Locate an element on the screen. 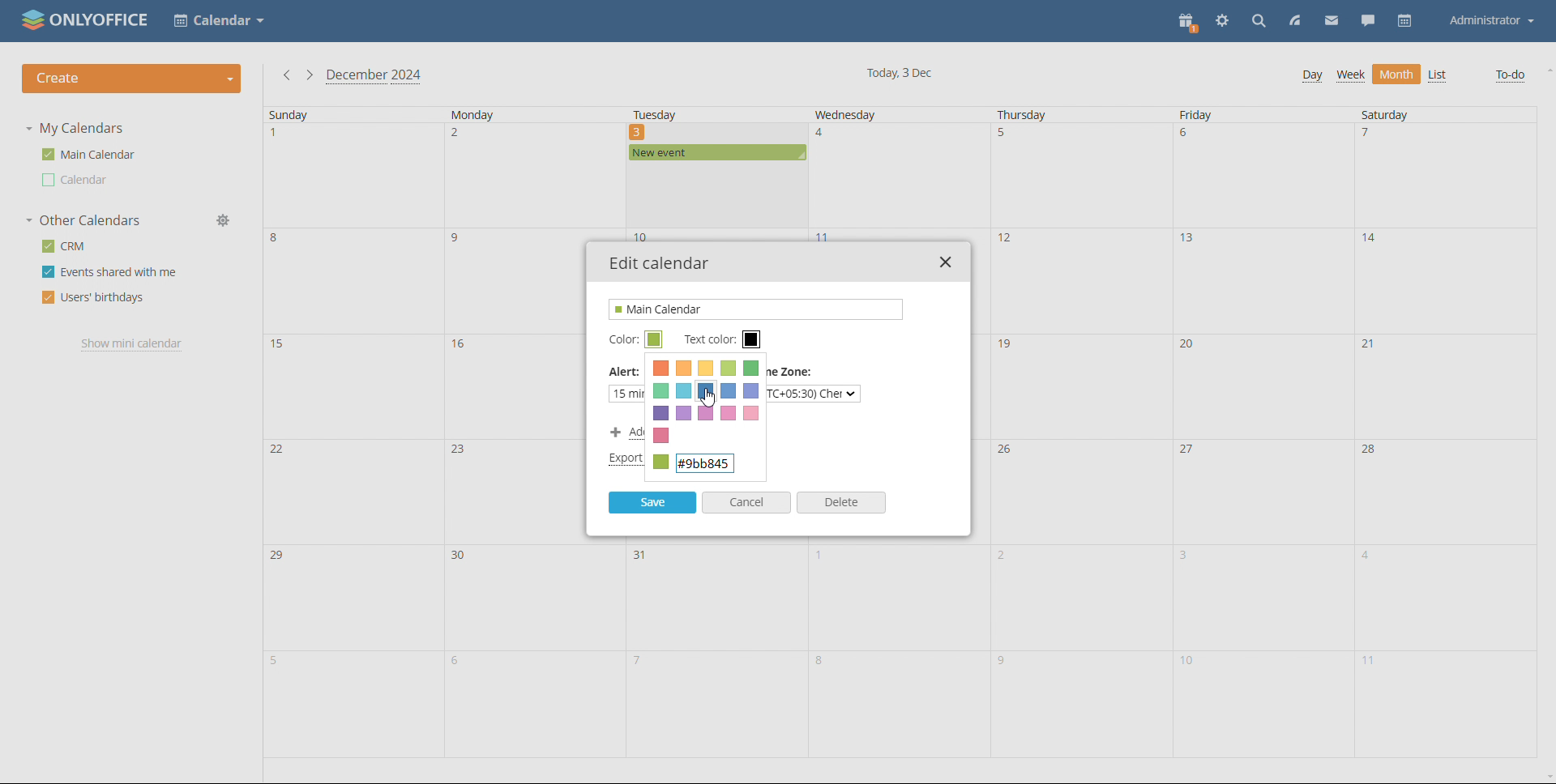 The image size is (1556, 784). previous month is located at coordinates (284, 75).